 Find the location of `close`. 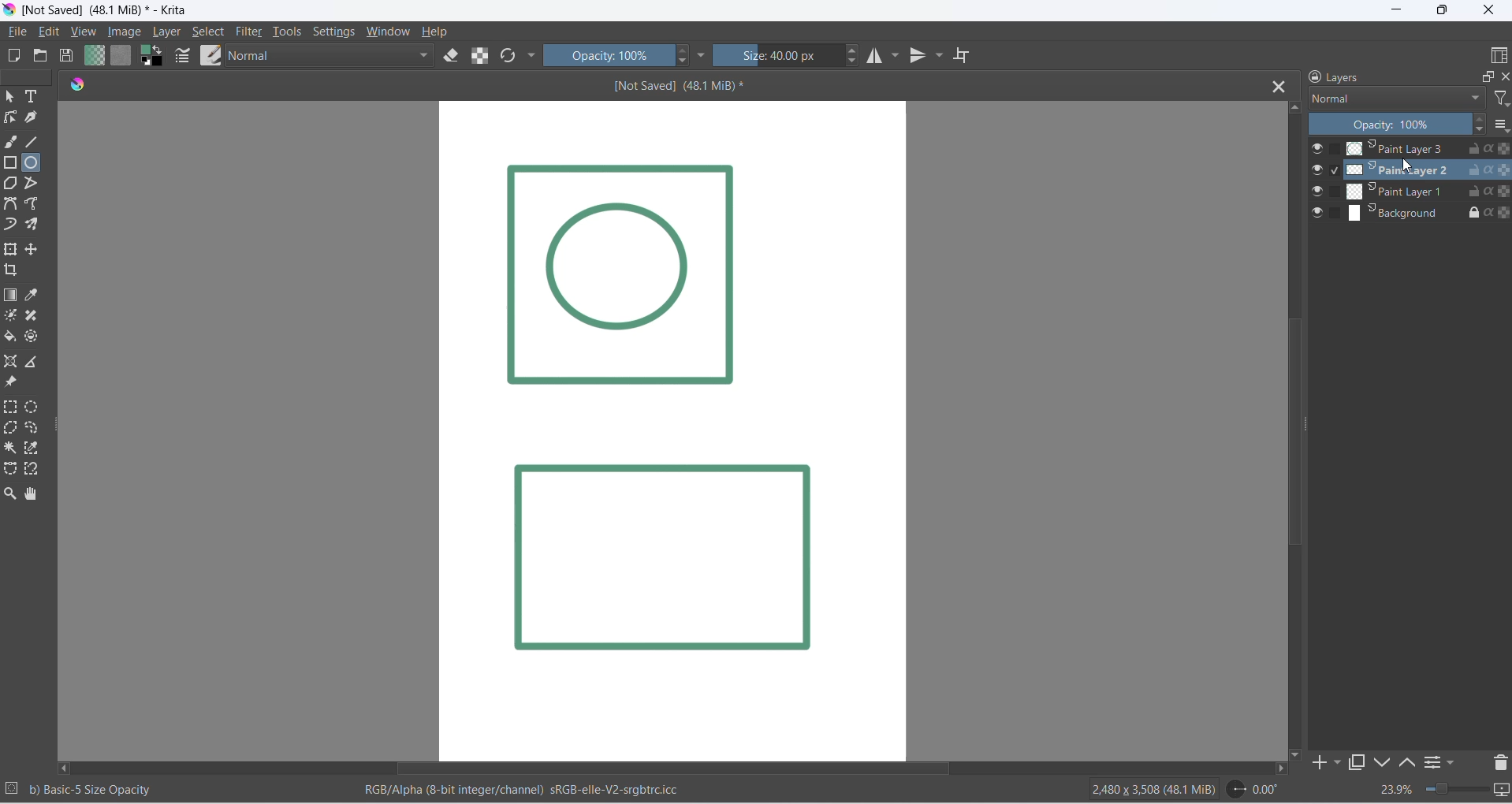

close is located at coordinates (1503, 73).